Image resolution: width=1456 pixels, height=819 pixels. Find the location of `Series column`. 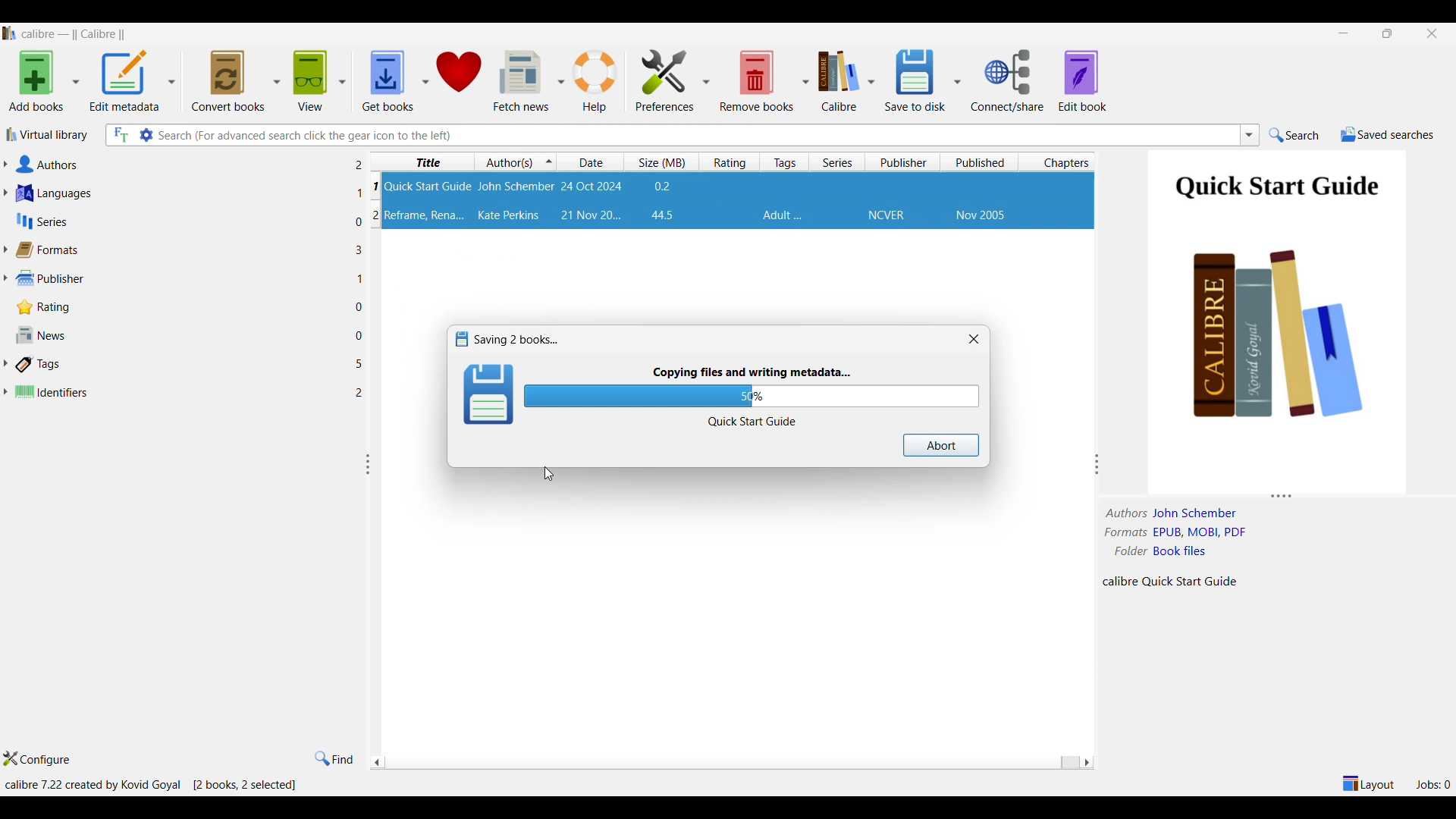

Series column is located at coordinates (838, 162).